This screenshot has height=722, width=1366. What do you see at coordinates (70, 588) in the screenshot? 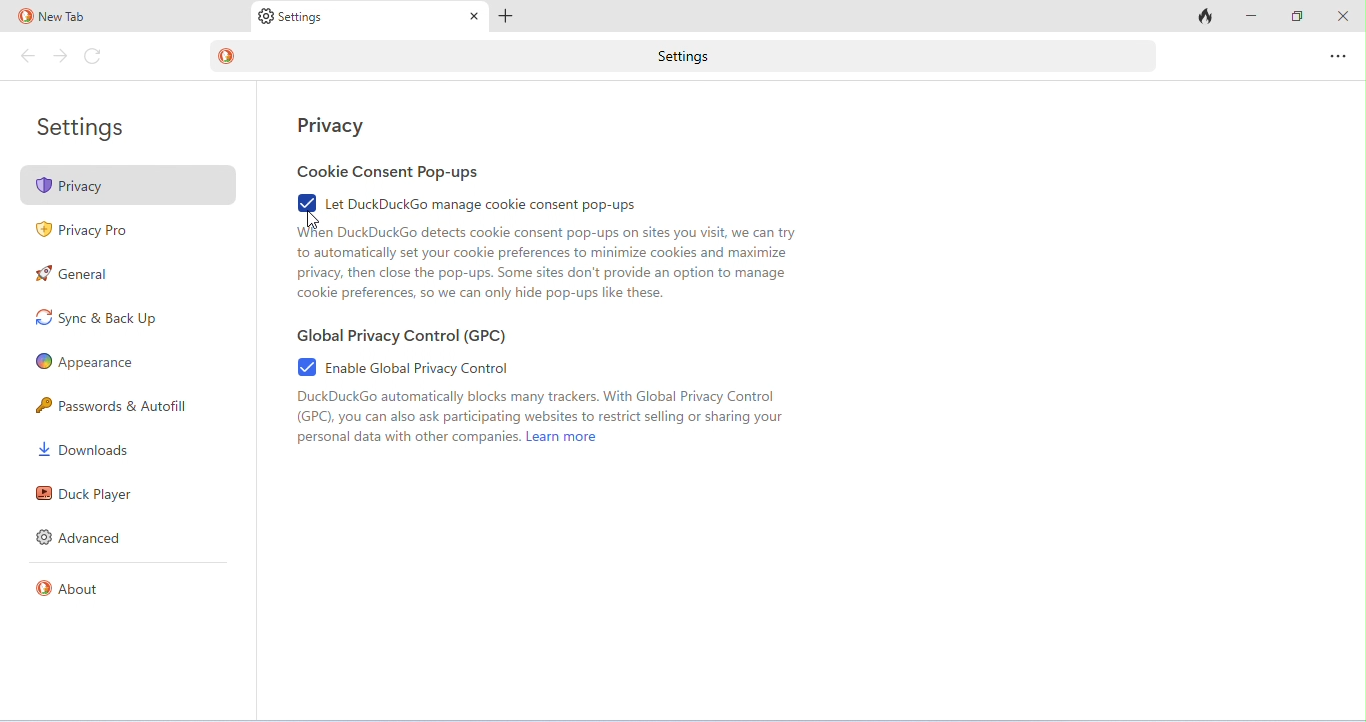
I see `about` at bounding box center [70, 588].